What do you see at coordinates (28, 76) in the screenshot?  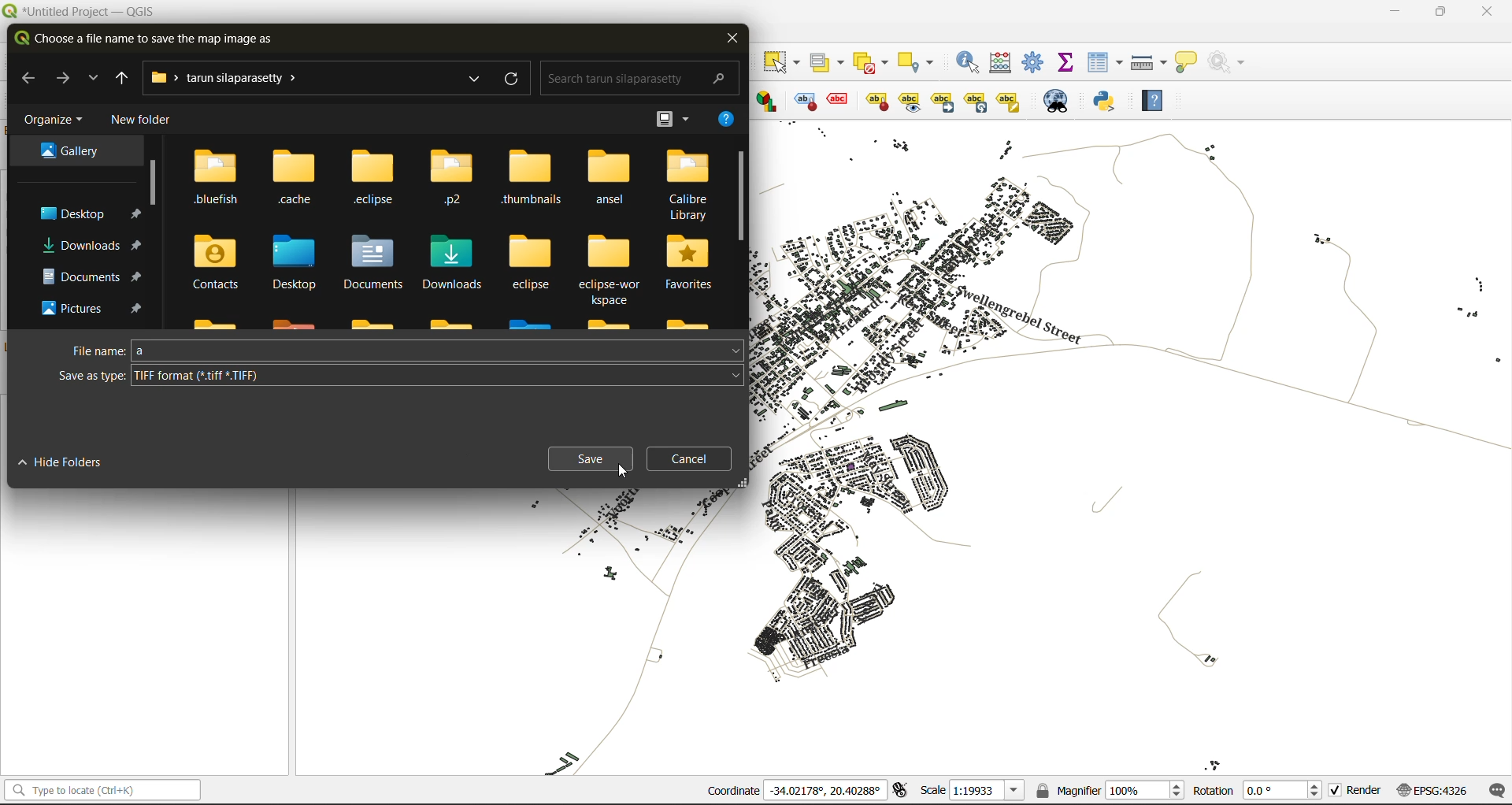 I see `back` at bounding box center [28, 76].